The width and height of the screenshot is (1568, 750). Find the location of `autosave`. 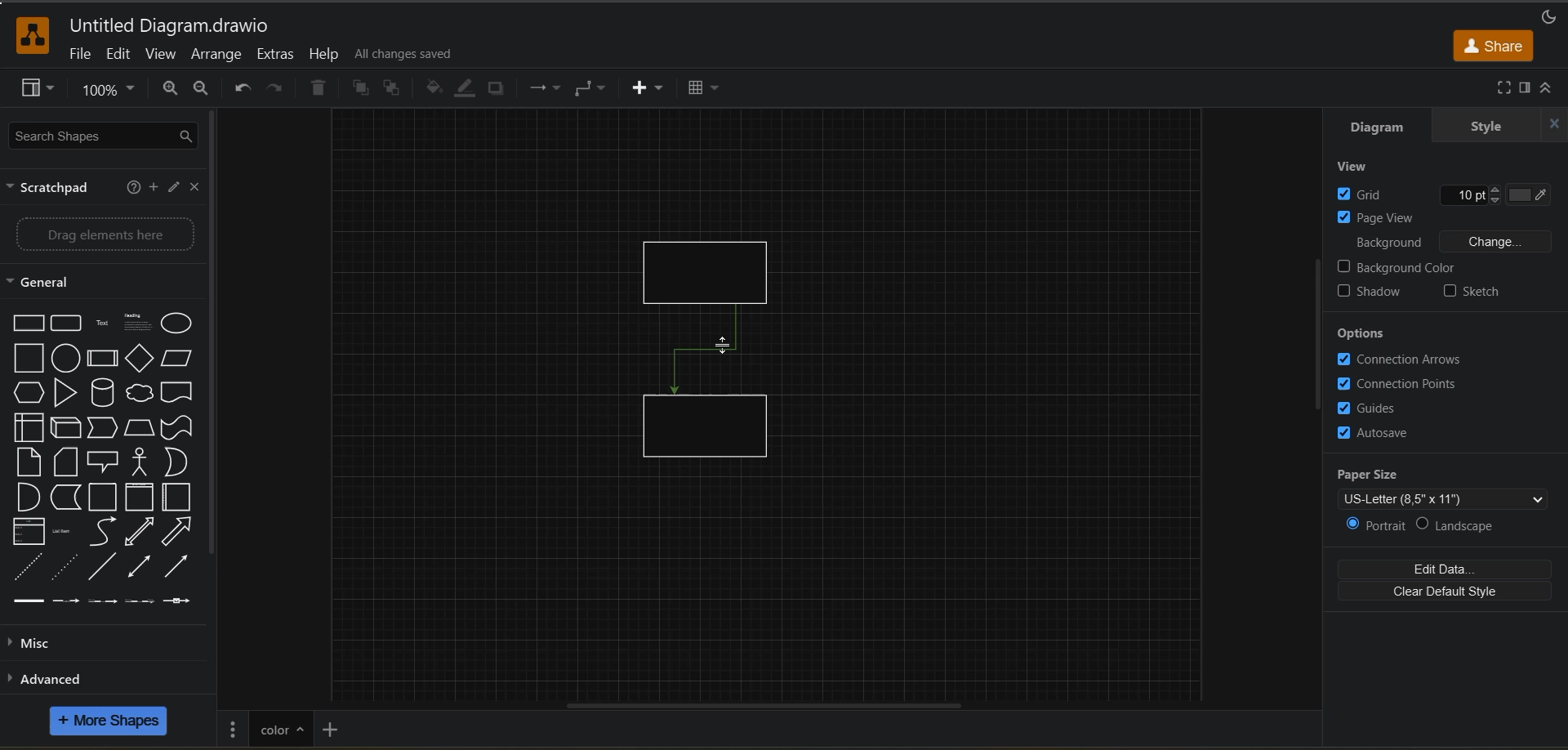

autosave is located at coordinates (1373, 433).